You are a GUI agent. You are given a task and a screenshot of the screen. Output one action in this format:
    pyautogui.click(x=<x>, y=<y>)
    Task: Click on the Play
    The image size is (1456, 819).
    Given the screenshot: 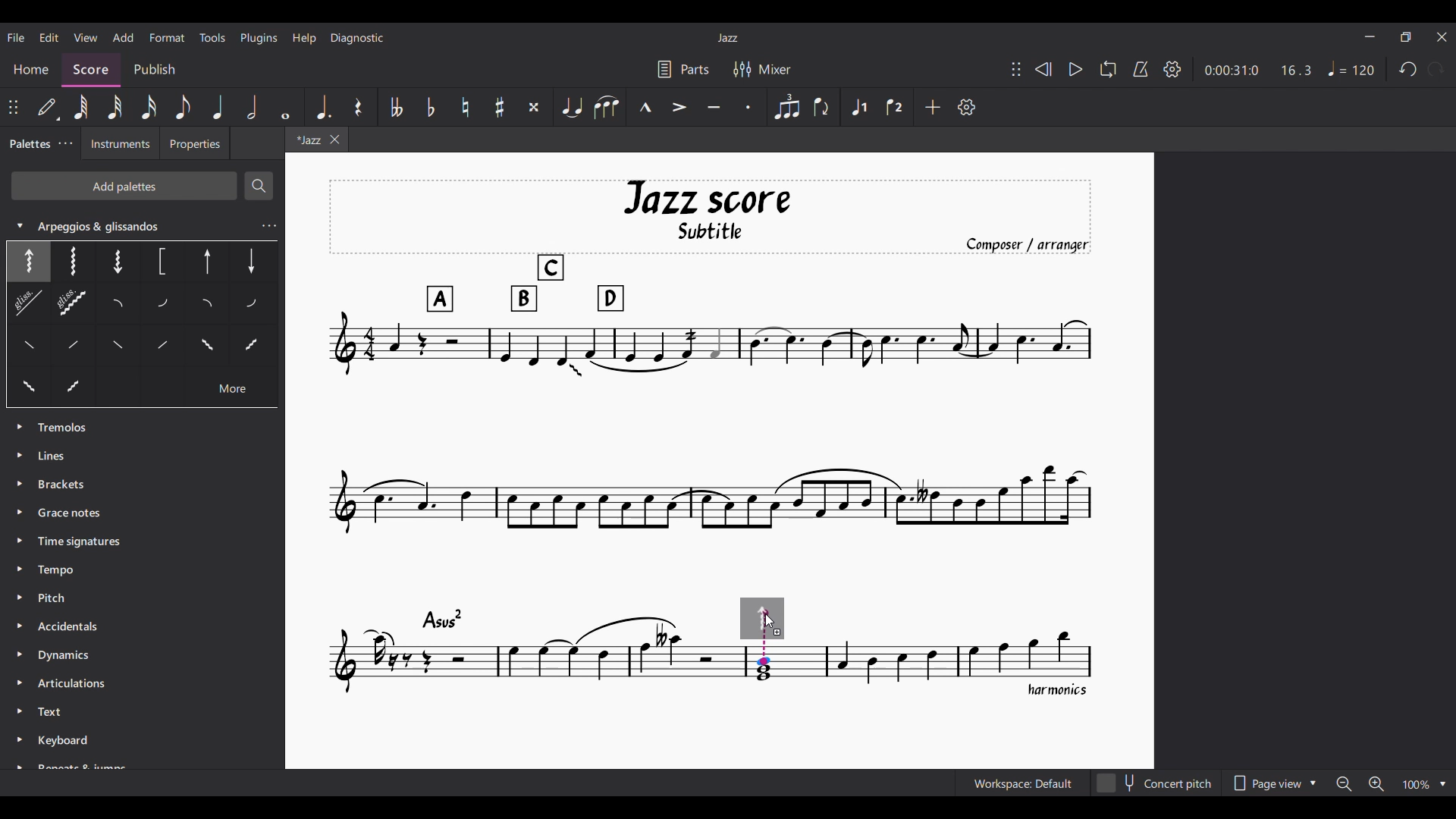 What is the action you would take?
    pyautogui.click(x=1076, y=69)
    